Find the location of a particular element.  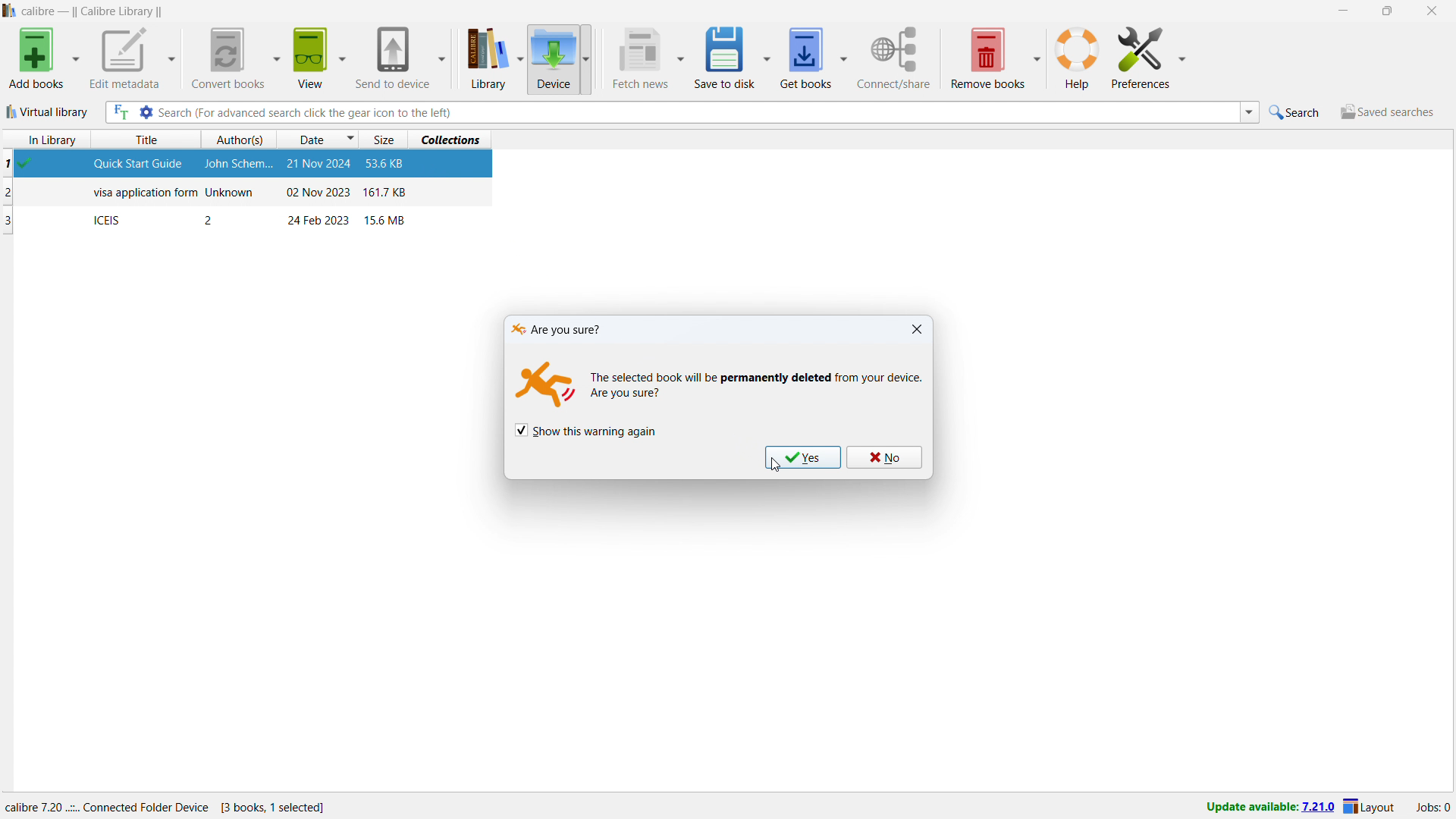

close is located at coordinates (916, 329).